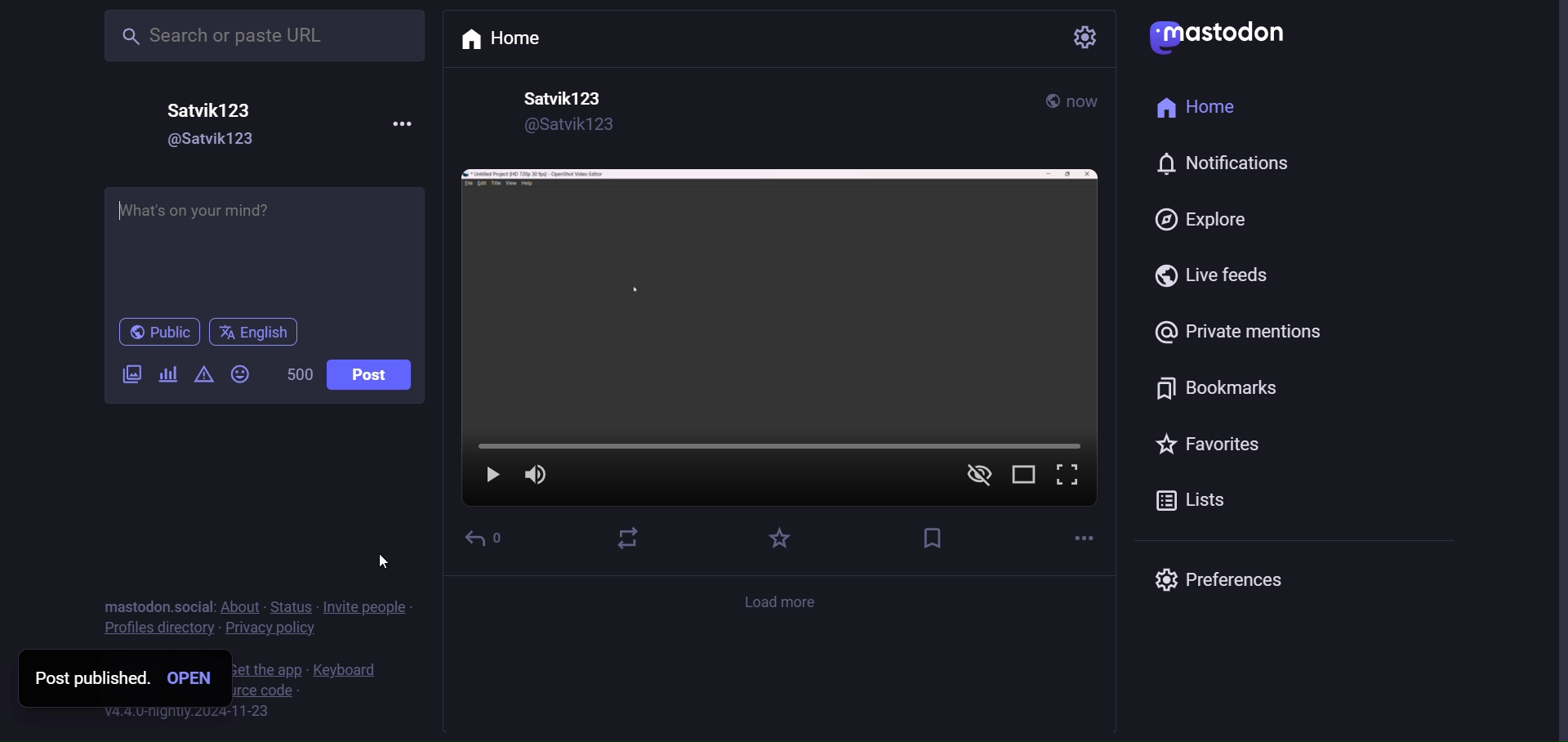 The image size is (1568, 742). Describe the element at coordinates (1086, 102) in the screenshot. I see `last modified` at that location.